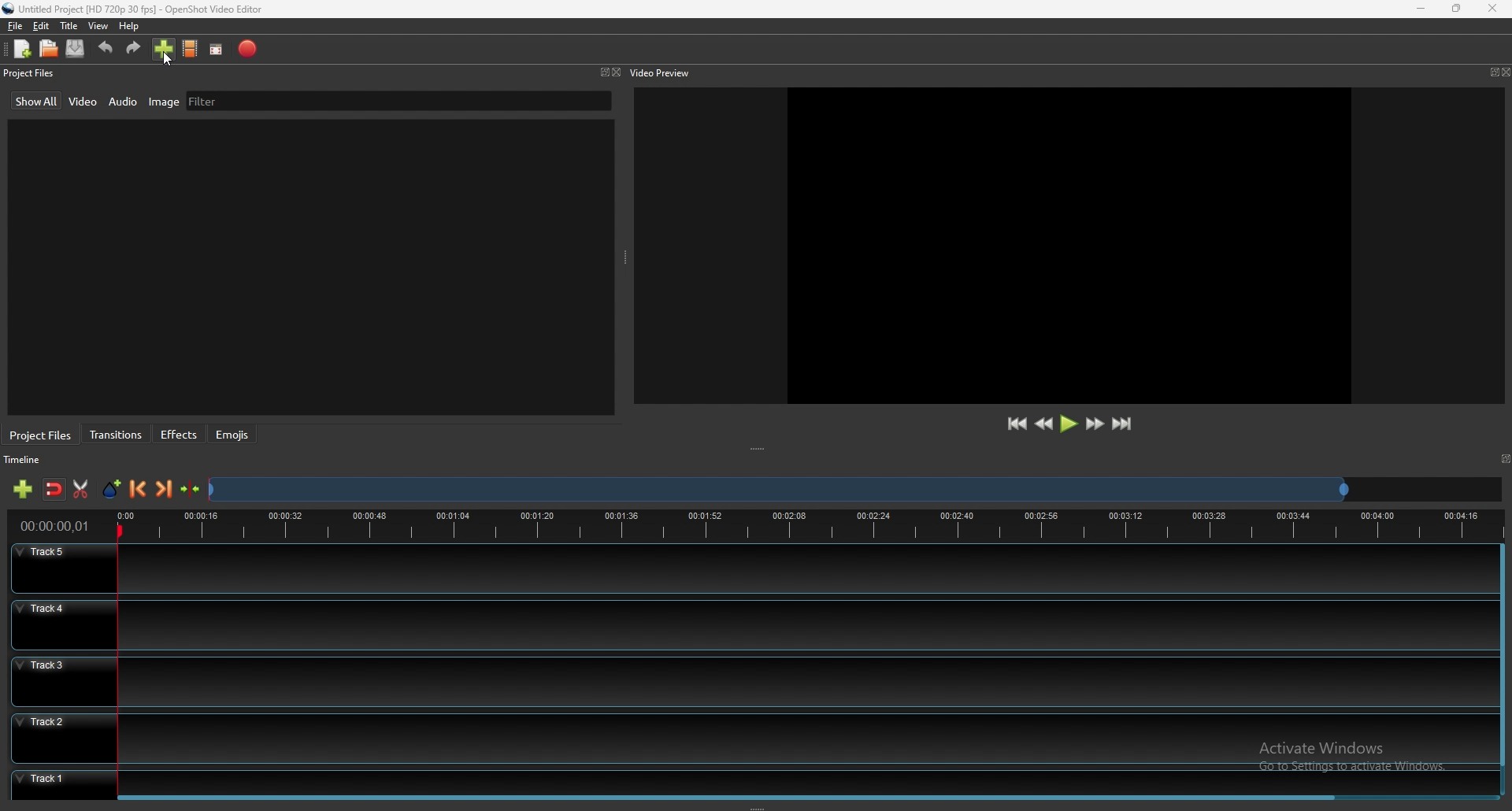  I want to click on filter, so click(204, 101).